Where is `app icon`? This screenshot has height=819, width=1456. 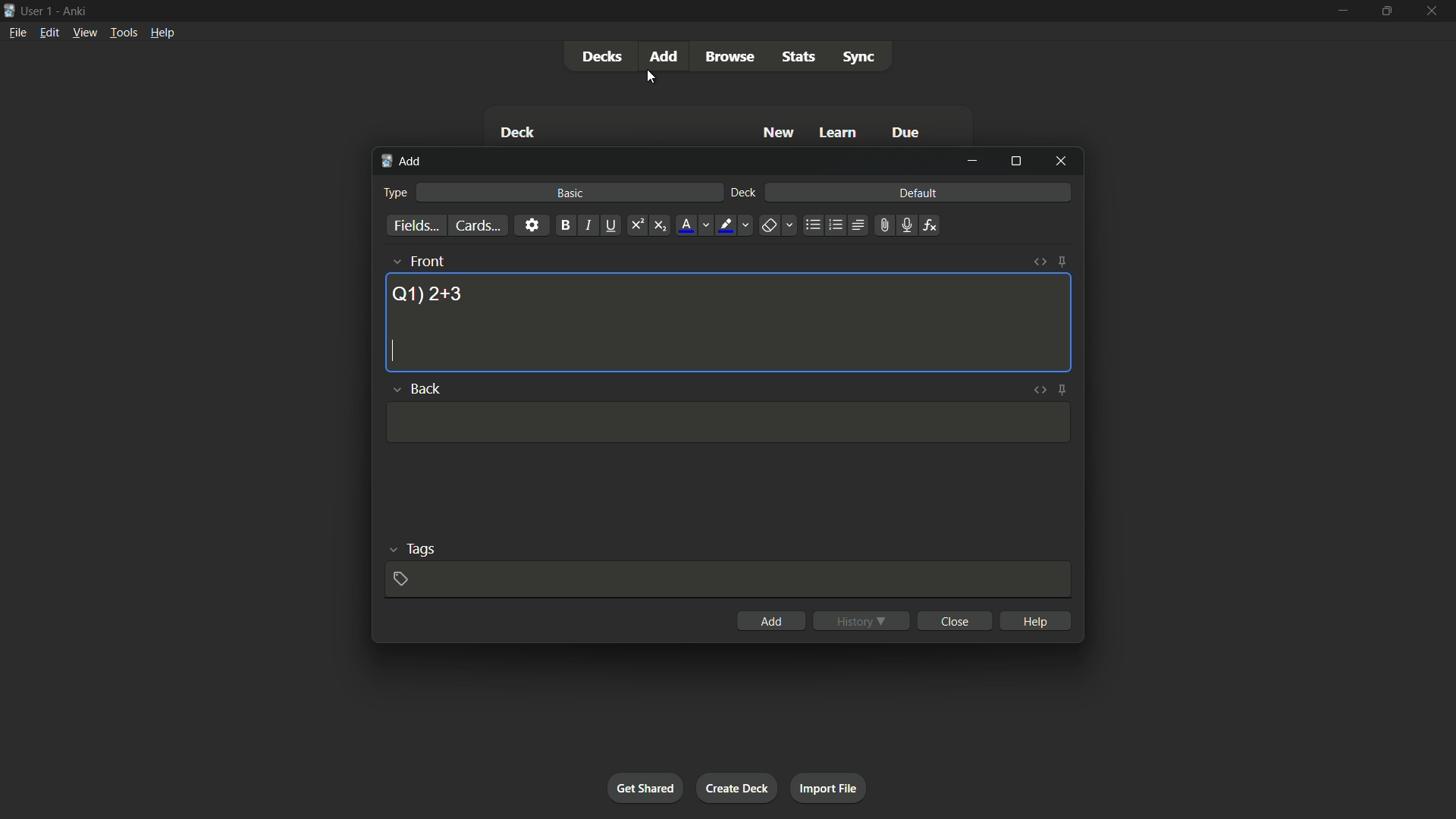
app icon is located at coordinates (9, 9).